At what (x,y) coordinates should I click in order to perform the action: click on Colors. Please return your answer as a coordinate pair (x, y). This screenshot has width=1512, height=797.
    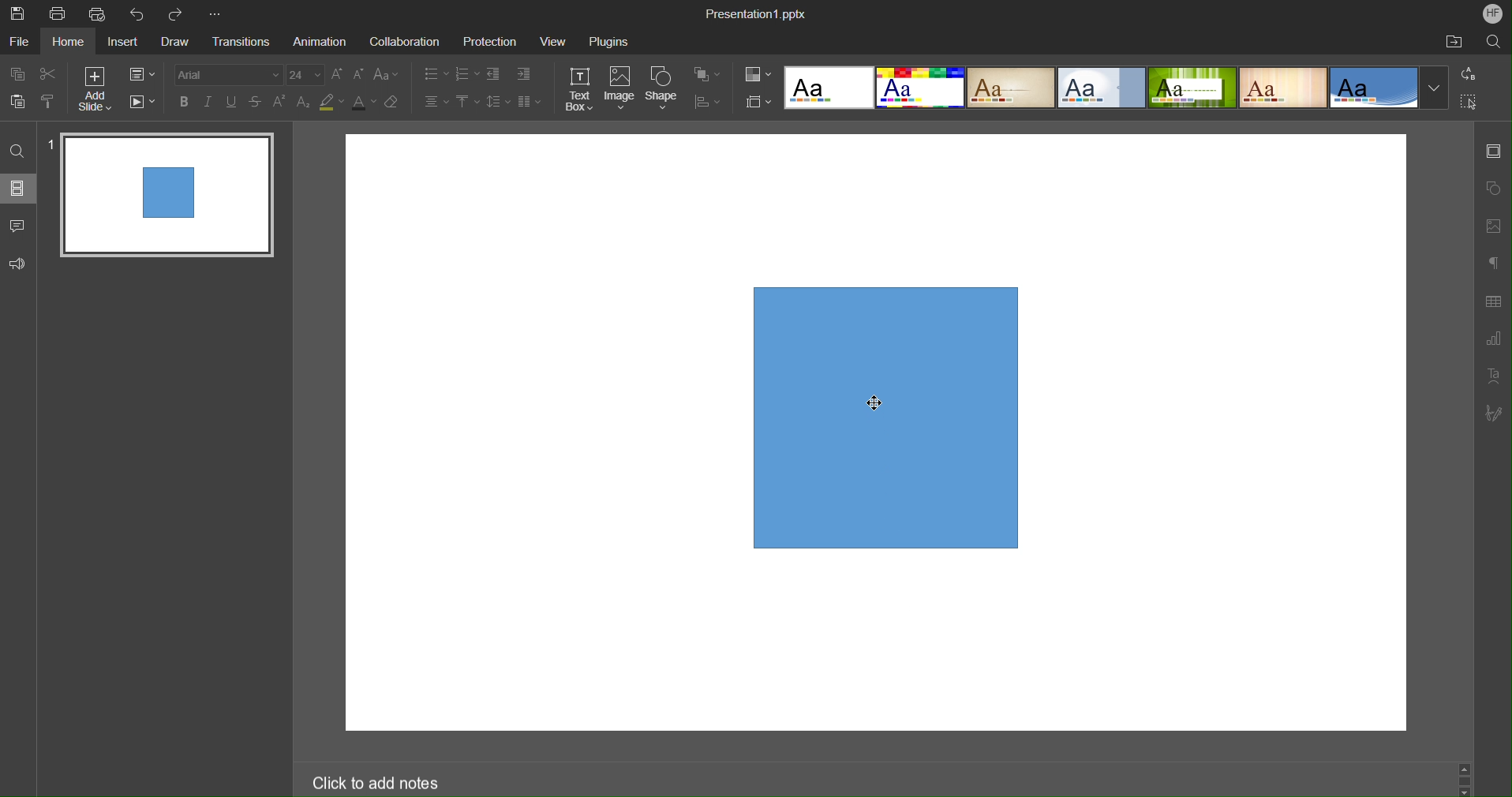
    Looking at the image, I should click on (757, 73).